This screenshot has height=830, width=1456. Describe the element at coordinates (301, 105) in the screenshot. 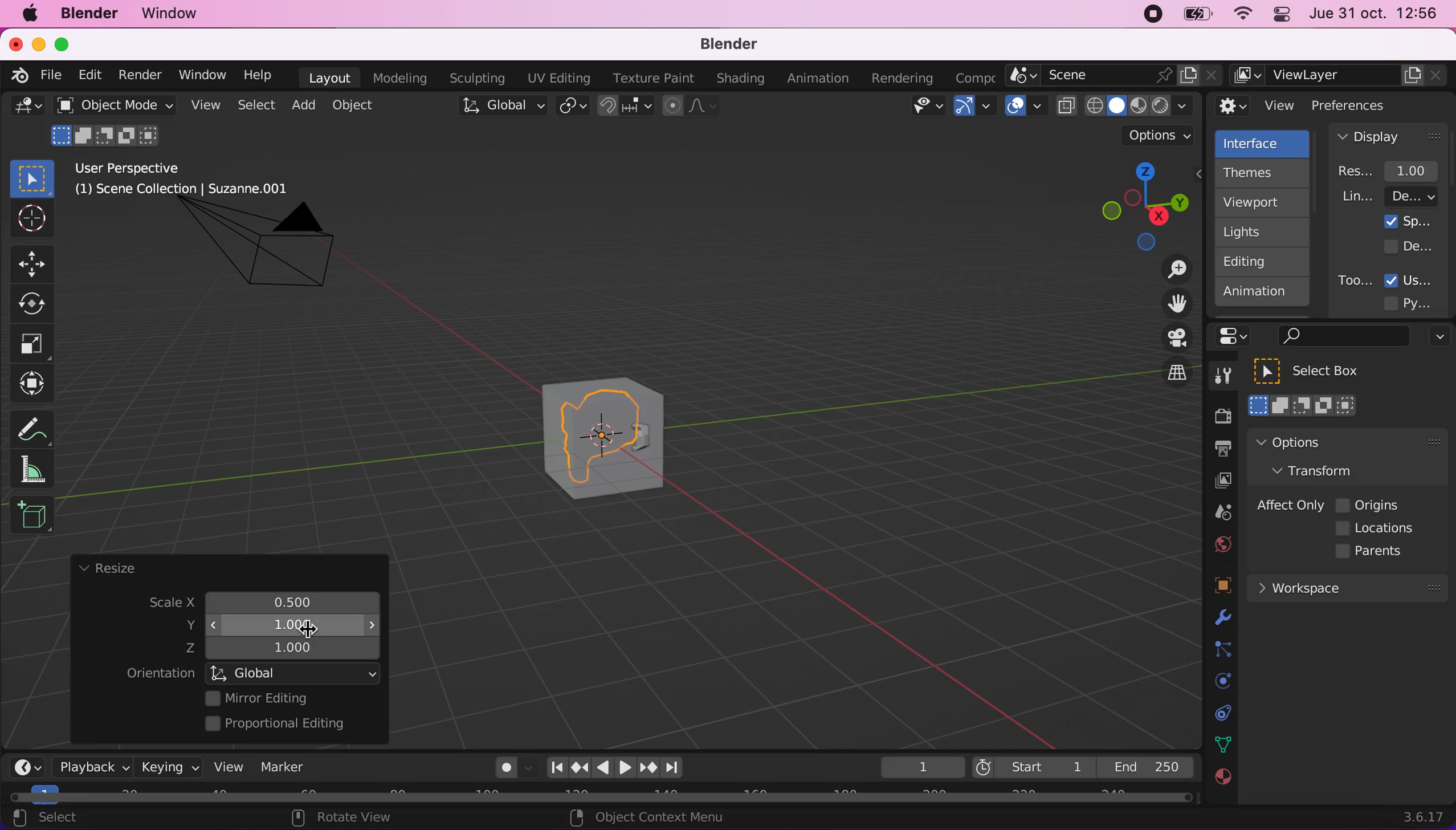

I see `add` at that location.